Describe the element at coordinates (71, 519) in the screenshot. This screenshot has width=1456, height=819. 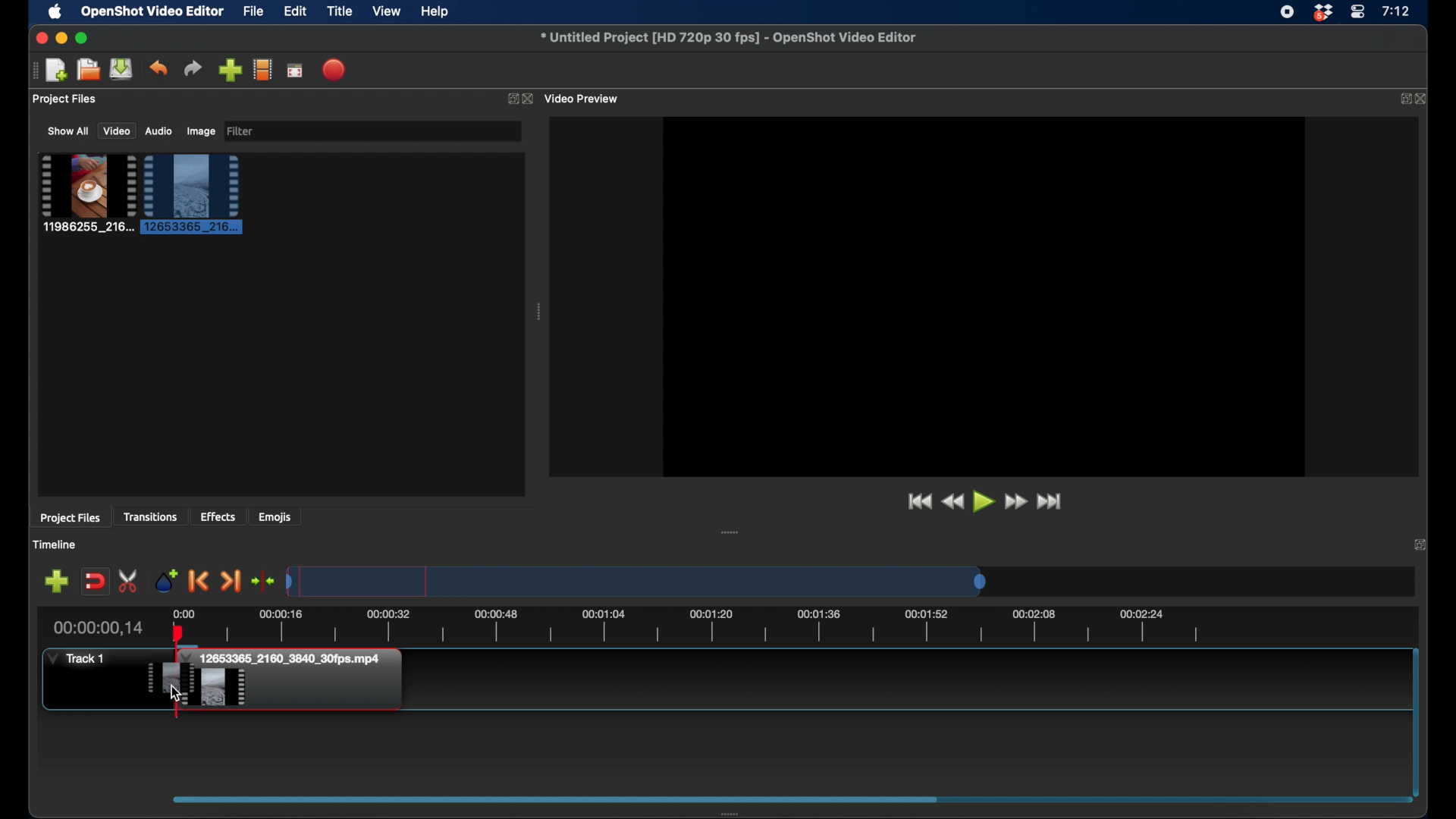
I see `project files` at that location.